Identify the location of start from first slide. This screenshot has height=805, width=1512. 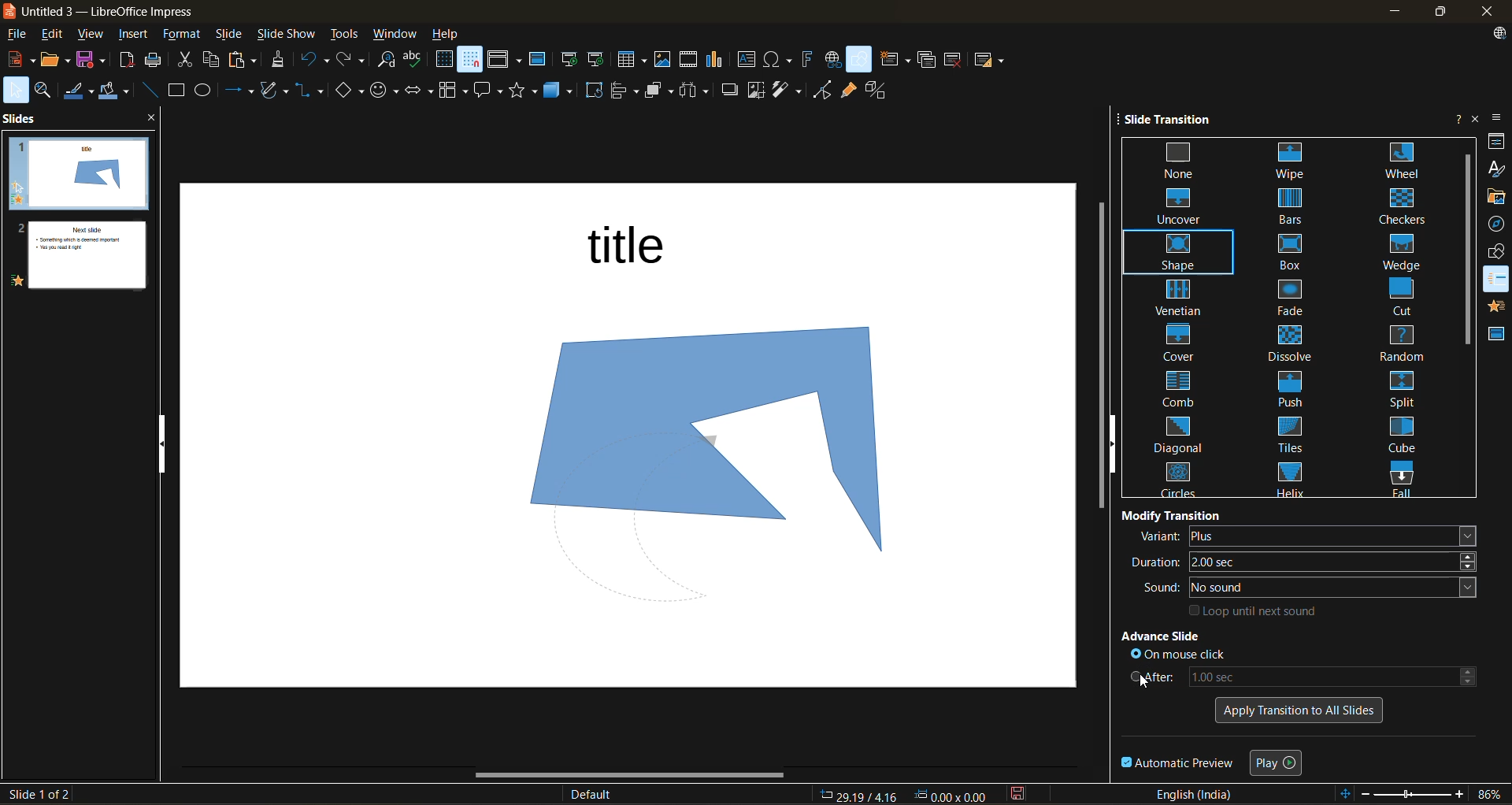
(571, 60).